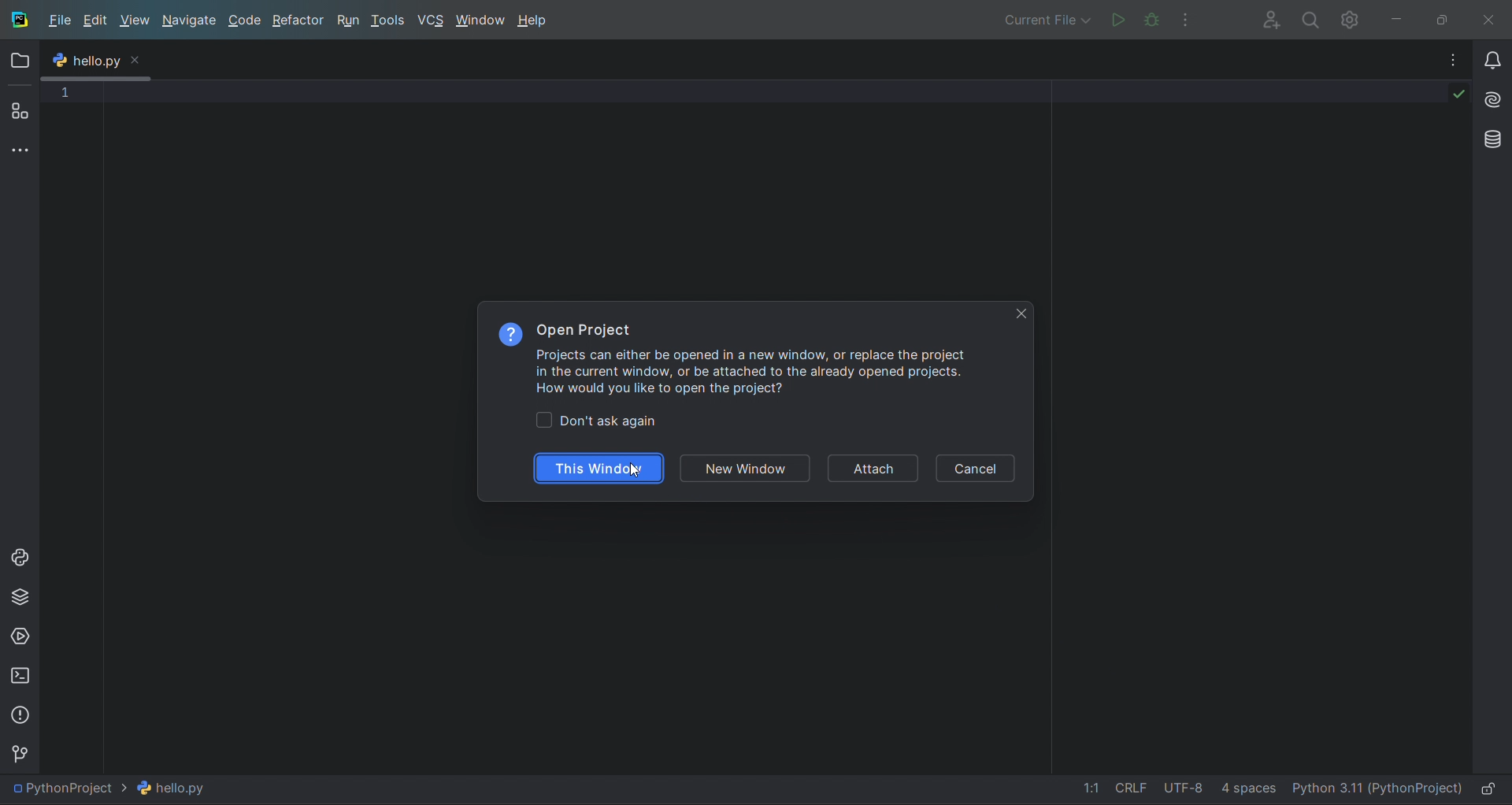 This screenshot has height=805, width=1512. Describe the element at coordinates (24, 61) in the screenshot. I see `folder window` at that location.